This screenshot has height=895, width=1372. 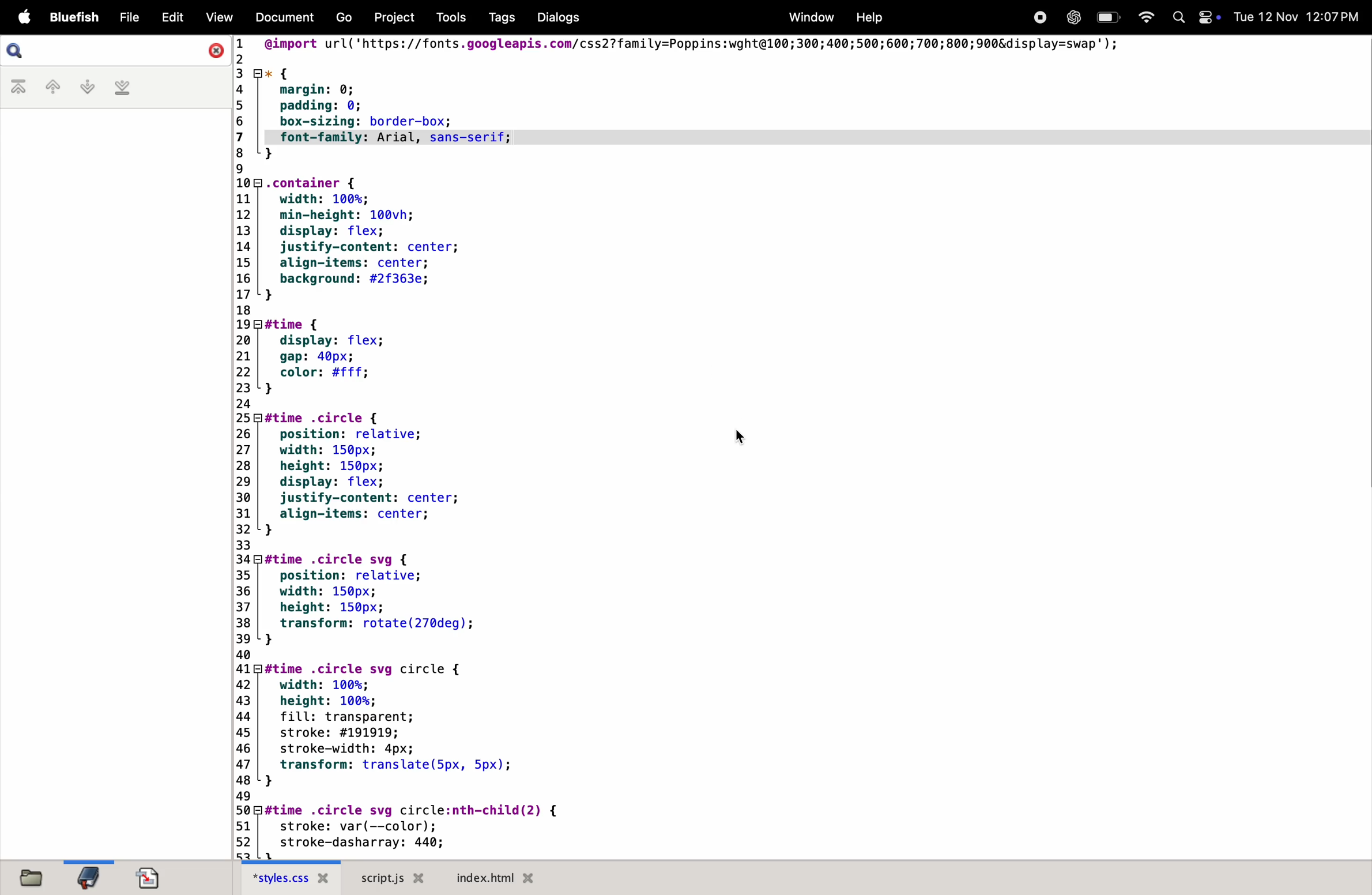 What do you see at coordinates (395, 878) in the screenshot?
I see `script.js` at bounding box center [395, 878].